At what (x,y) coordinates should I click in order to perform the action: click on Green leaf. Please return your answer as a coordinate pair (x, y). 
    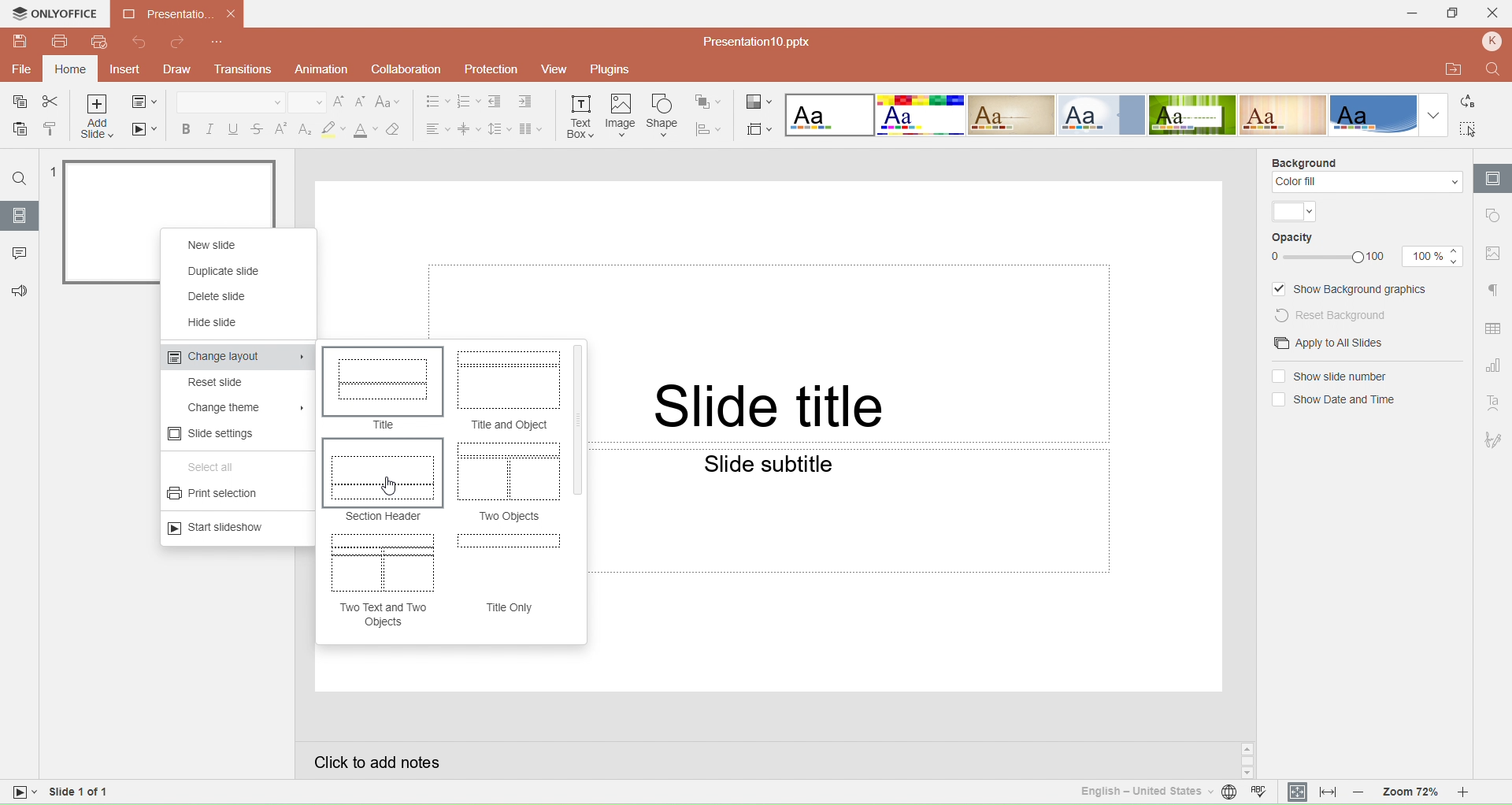
    Looking at the image, I should click on (1195, 115).